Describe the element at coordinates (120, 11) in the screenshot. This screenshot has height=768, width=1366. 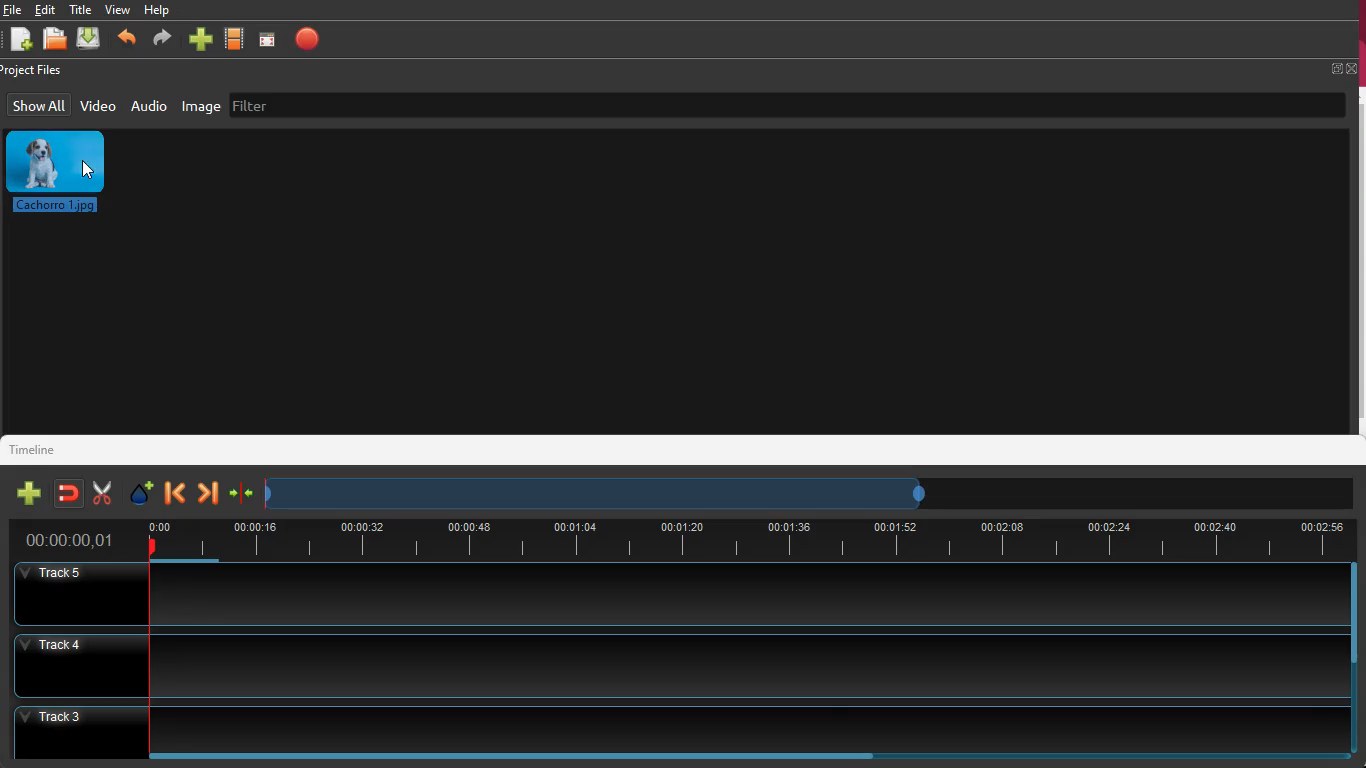
I see `view` at that location.